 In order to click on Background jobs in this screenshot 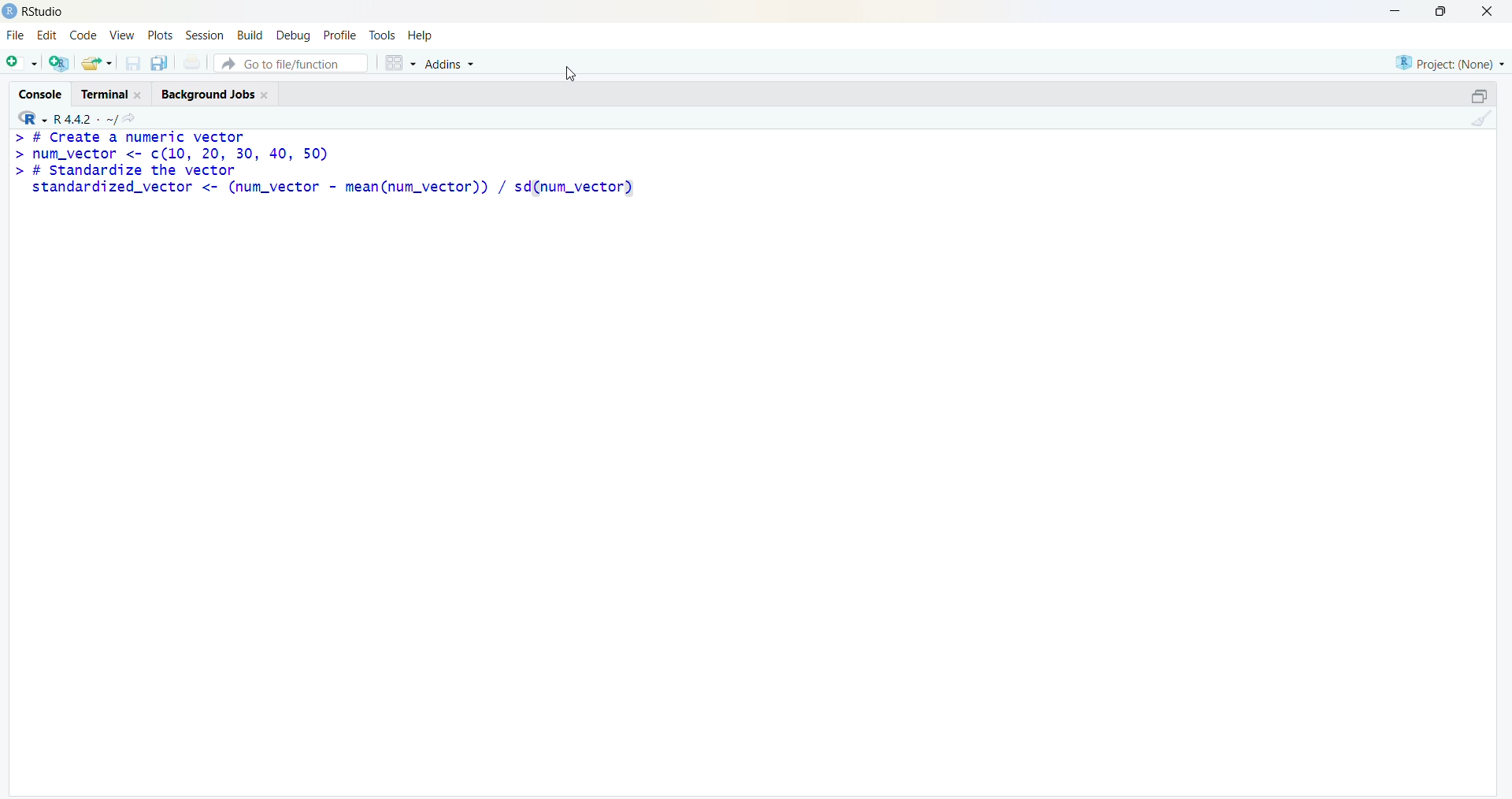, I will do `click(208, 95)`.